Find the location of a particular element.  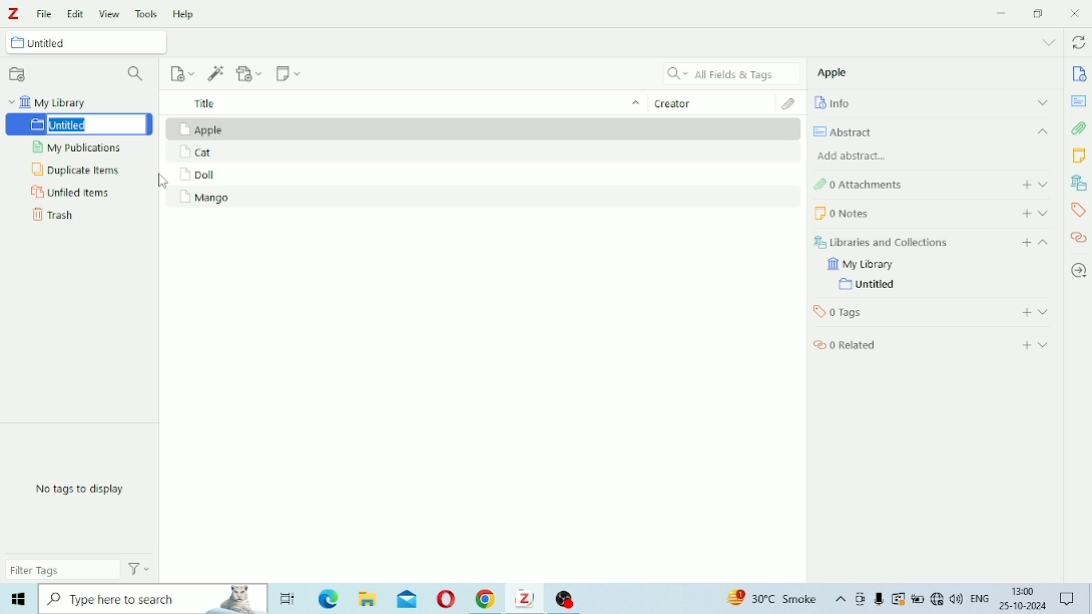

Add is located at coordinates (1026, 185).